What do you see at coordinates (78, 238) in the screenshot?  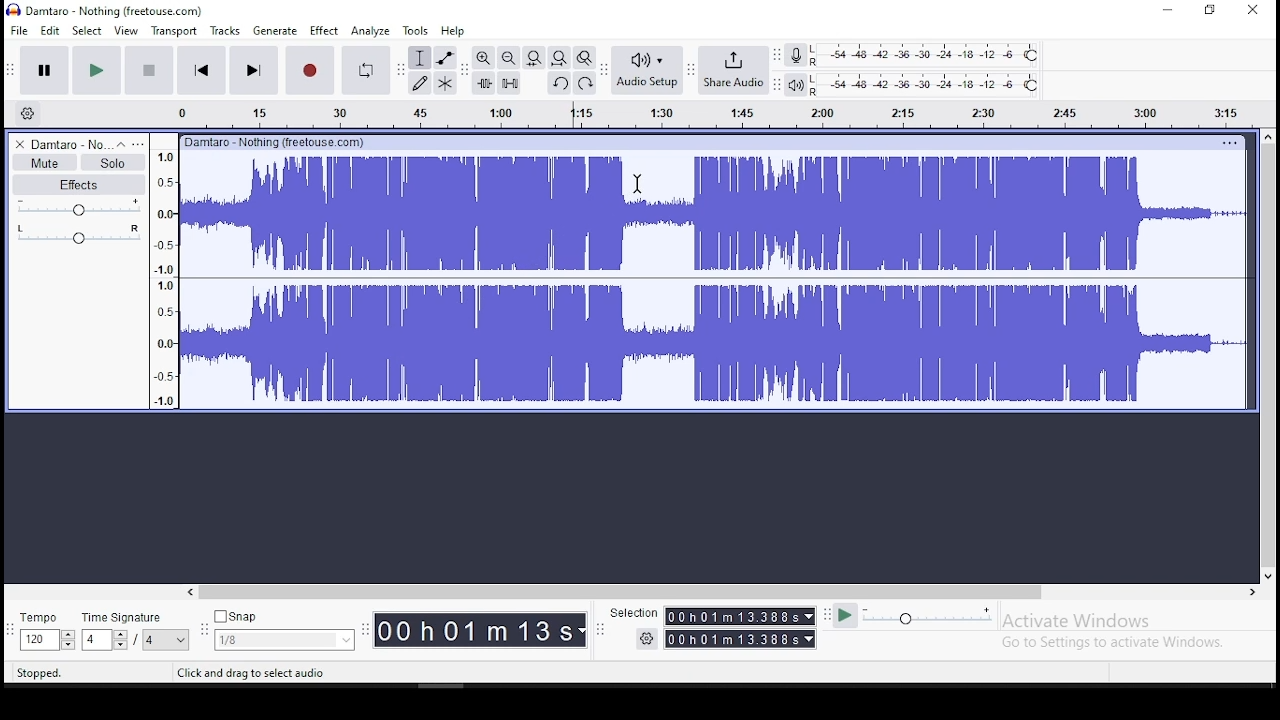 I see `pan` at bounding box center [78, 238].